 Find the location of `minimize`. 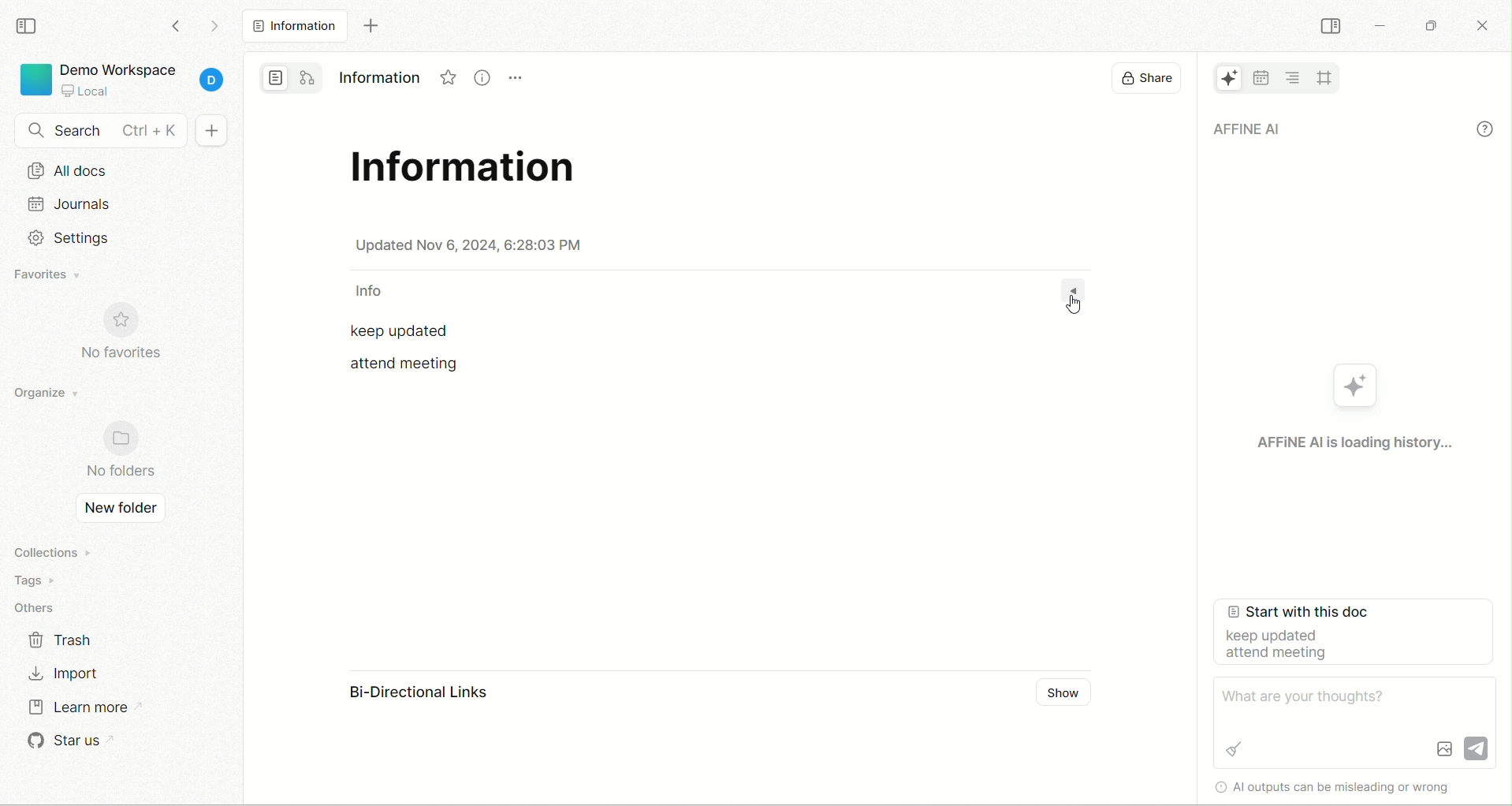

minimize is located at coordinates (1380, 26).